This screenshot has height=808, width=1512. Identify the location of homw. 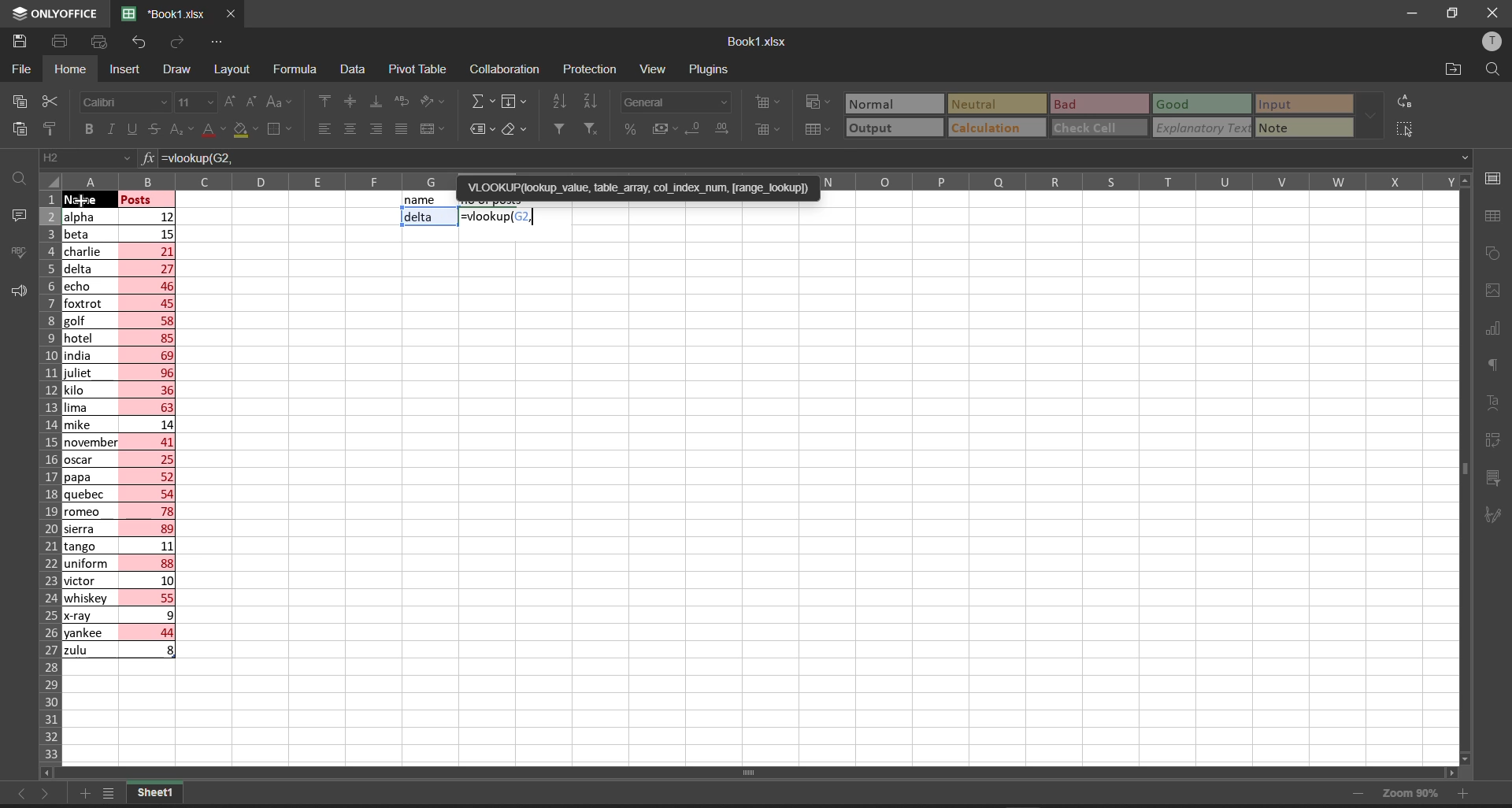
(69, 69).